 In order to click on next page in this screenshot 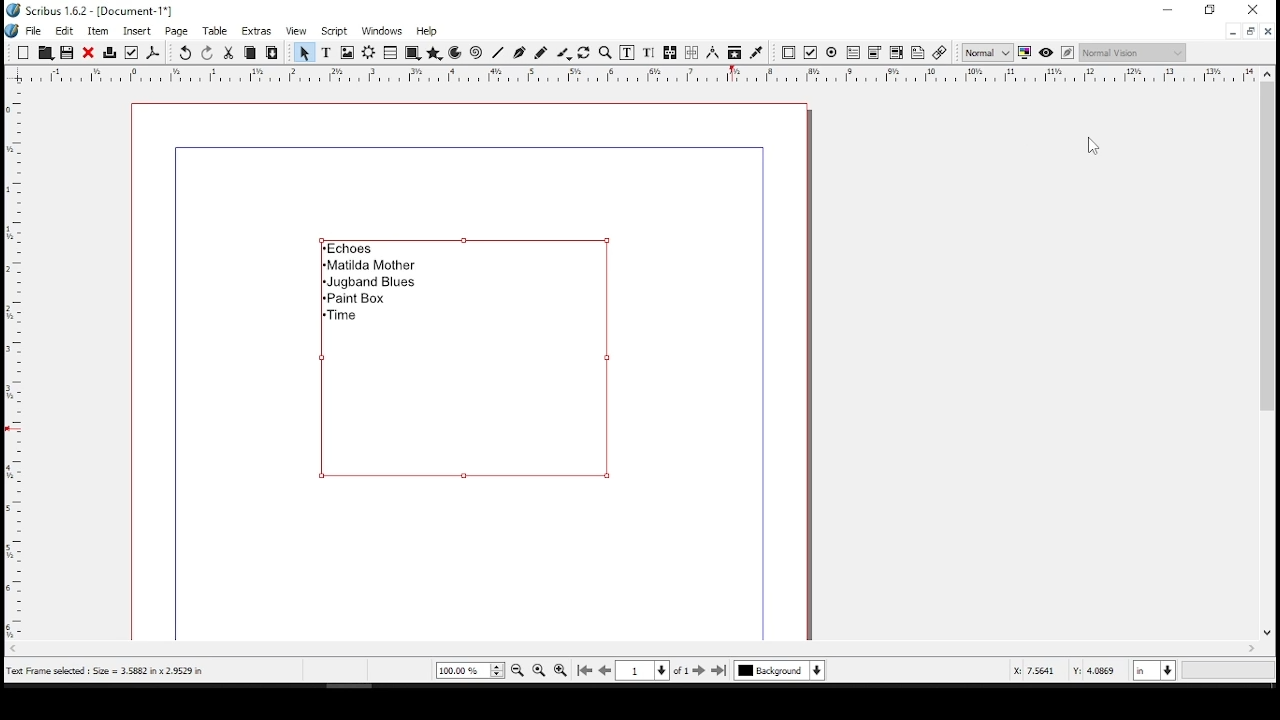, I will do `click(699, 670)`.